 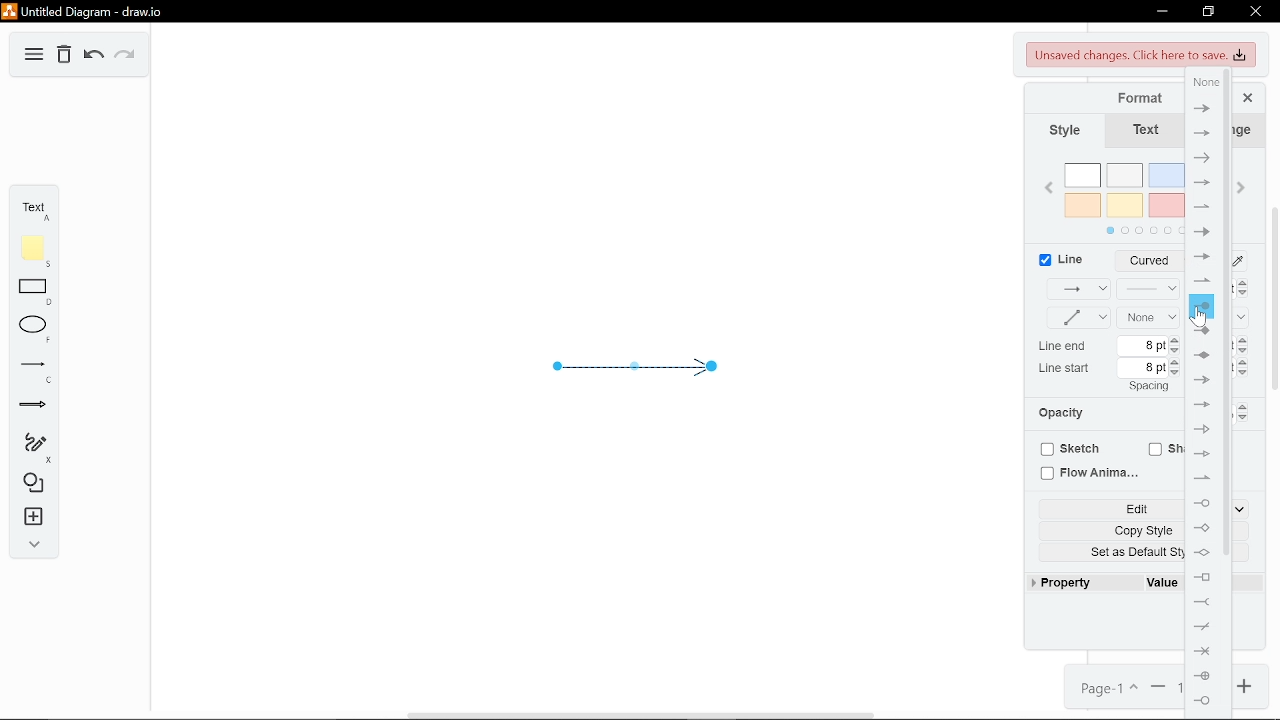 I want to click on Previous, so click(x=1050, y=186).